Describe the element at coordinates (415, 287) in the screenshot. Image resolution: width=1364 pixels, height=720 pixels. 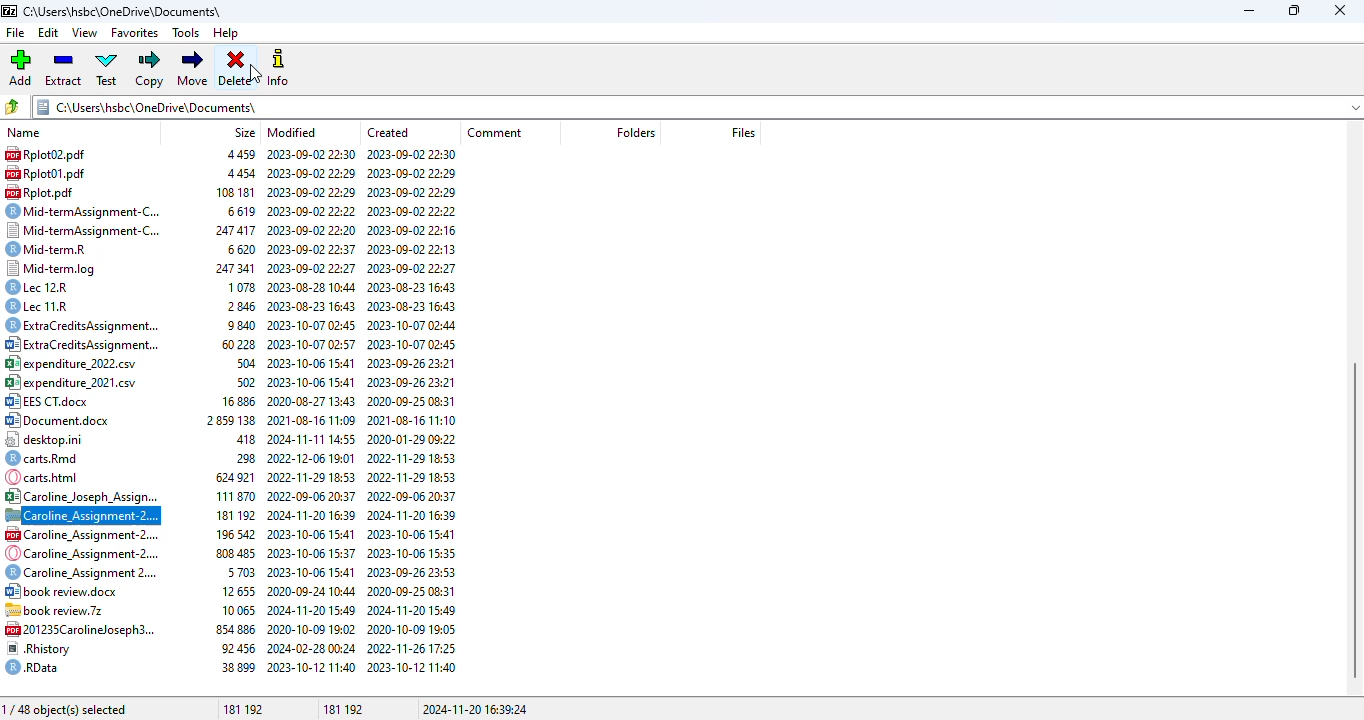
I see `2002.08.73 1643` at that location.